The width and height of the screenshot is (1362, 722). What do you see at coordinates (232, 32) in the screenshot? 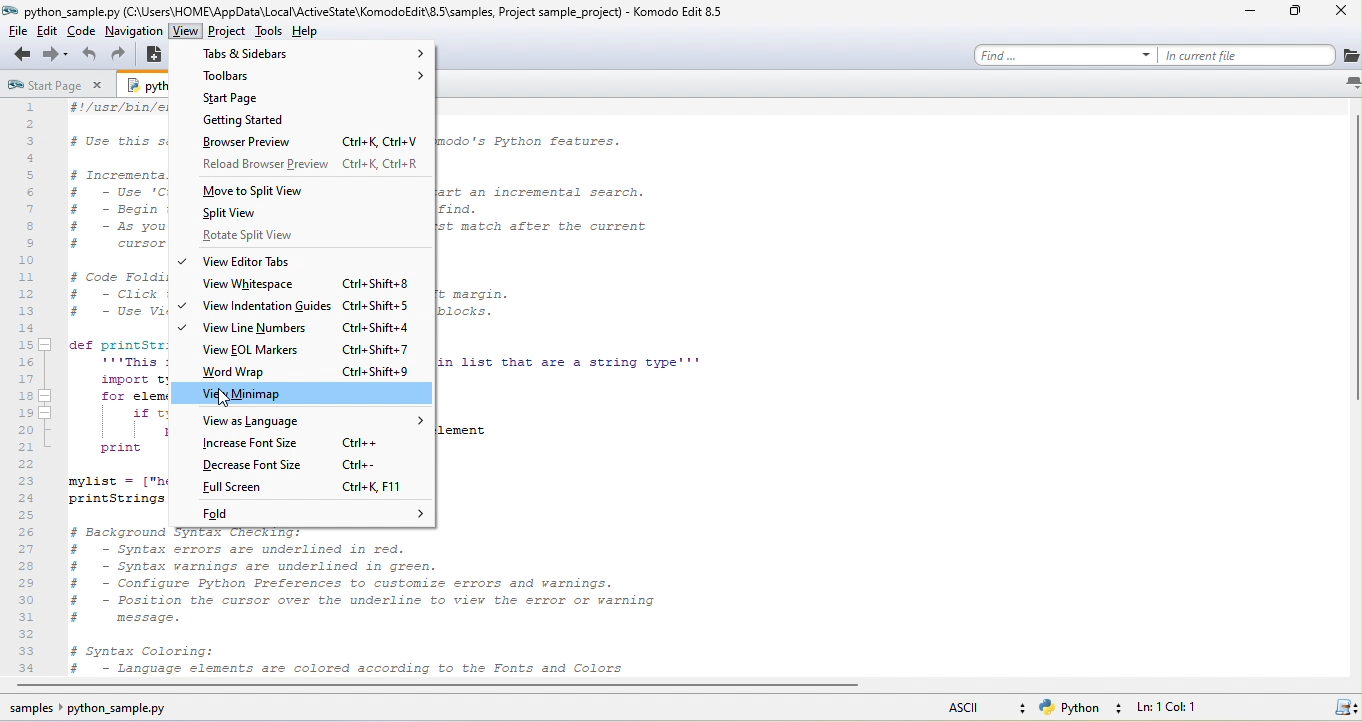
I see `project` at bounding box center [232, 32].